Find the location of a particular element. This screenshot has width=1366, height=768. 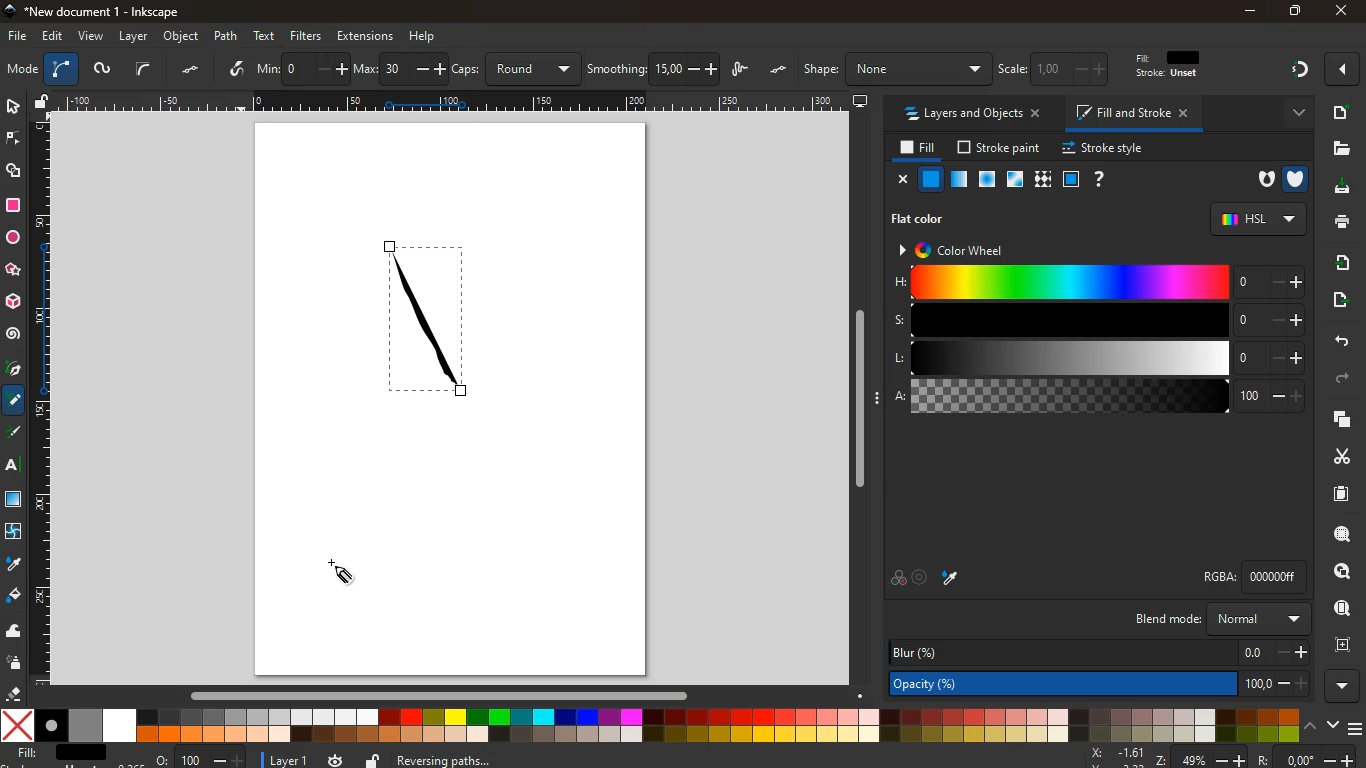

Scale is located at coordinates (41, 399).